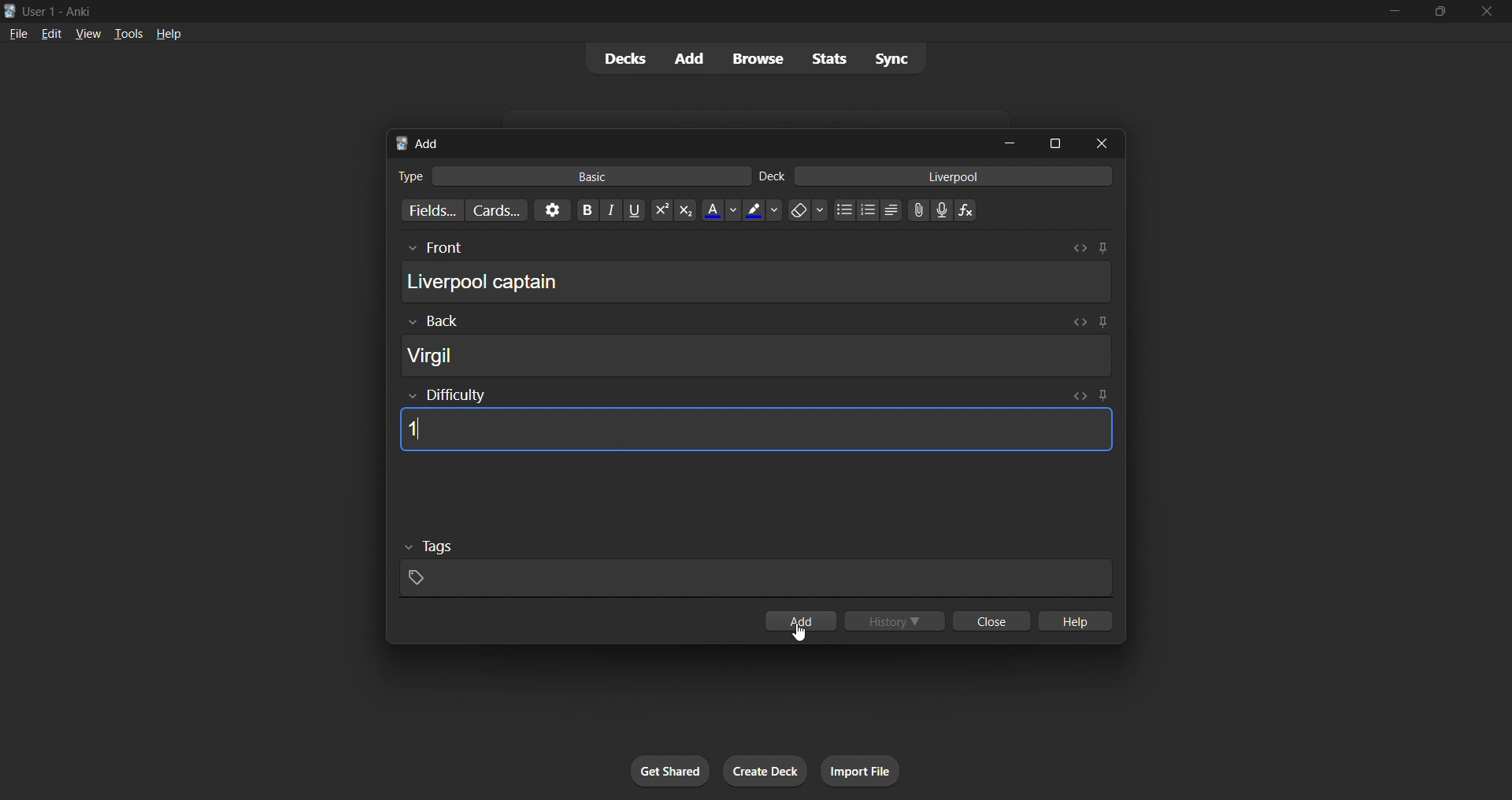 The image size is (1512, 800). I want to click on stats, so click(828, 58).